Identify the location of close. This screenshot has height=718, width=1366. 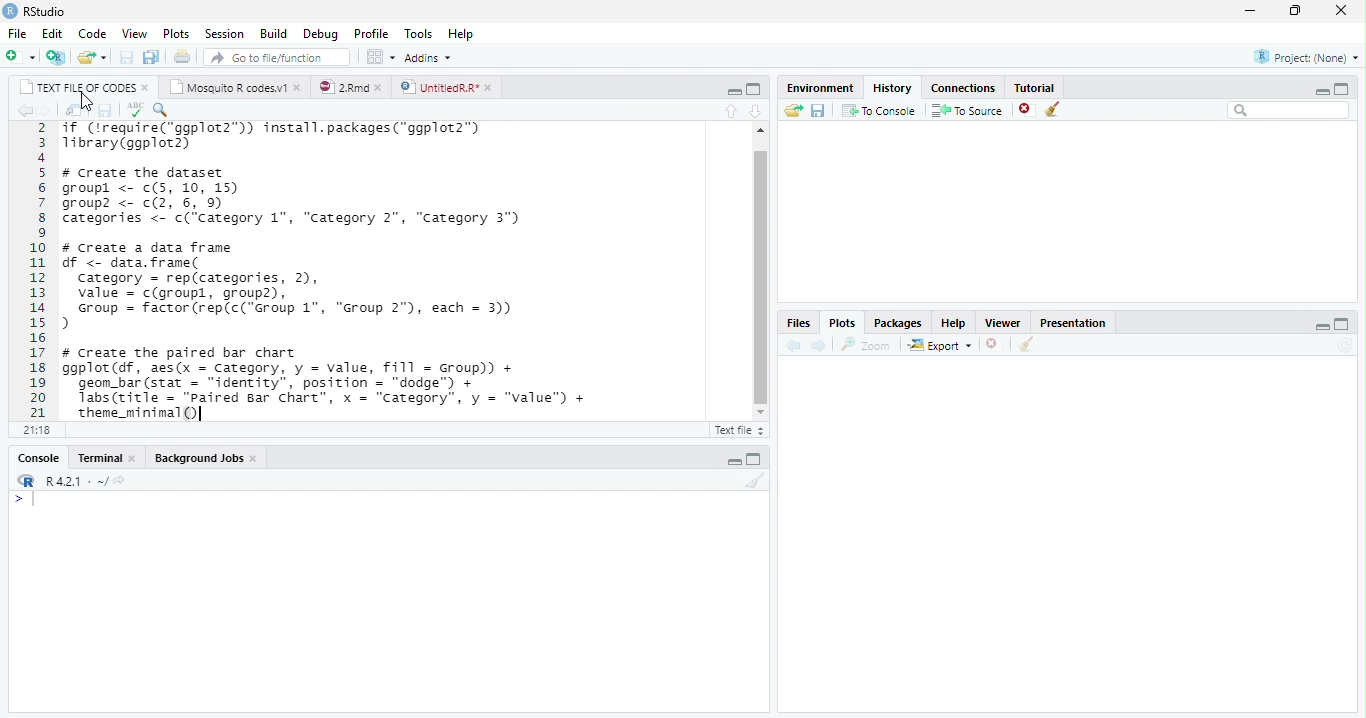
(992, 343).